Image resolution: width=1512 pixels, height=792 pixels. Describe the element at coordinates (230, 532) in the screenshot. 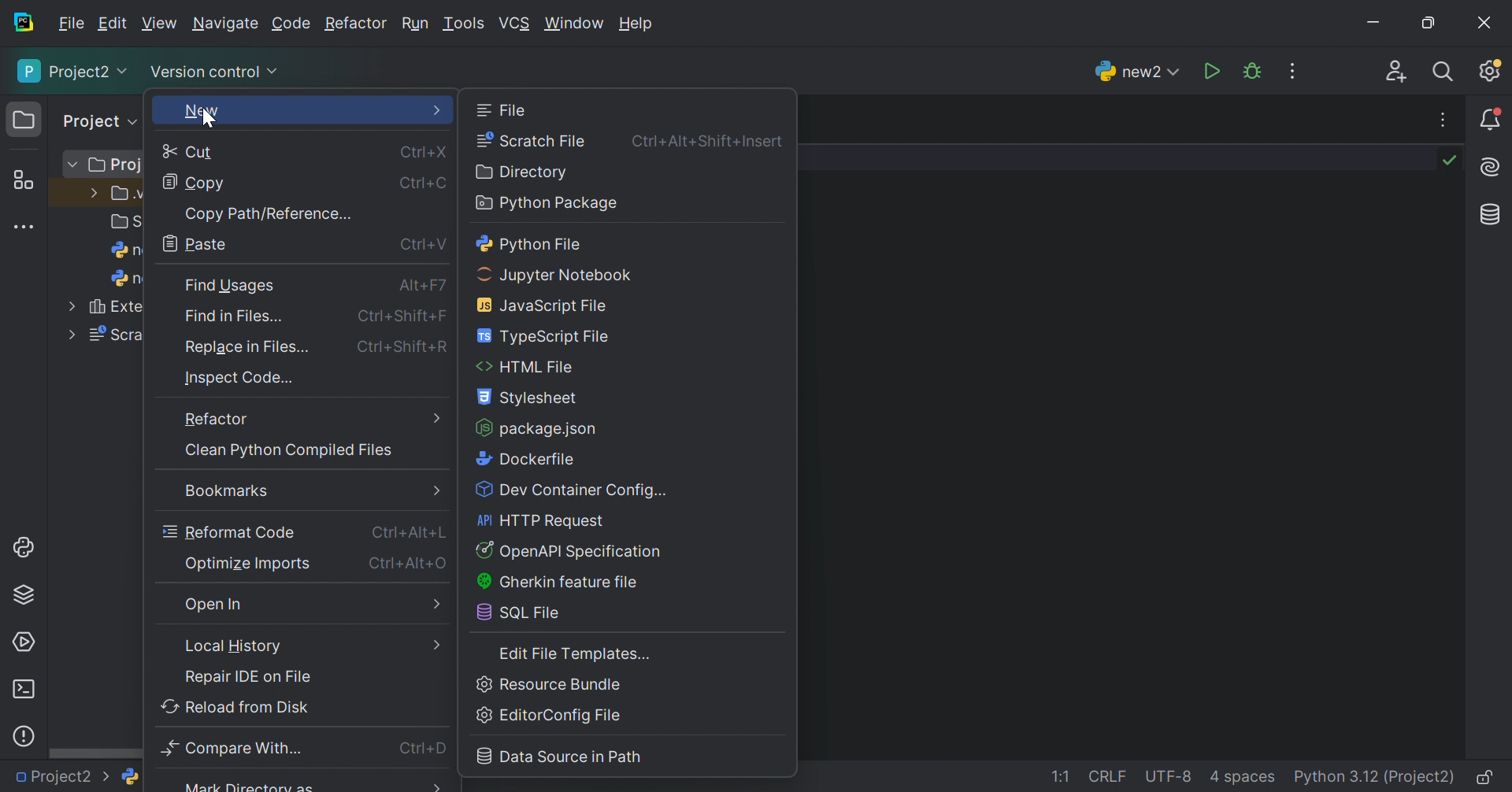

I see `Reformat code` at that location.